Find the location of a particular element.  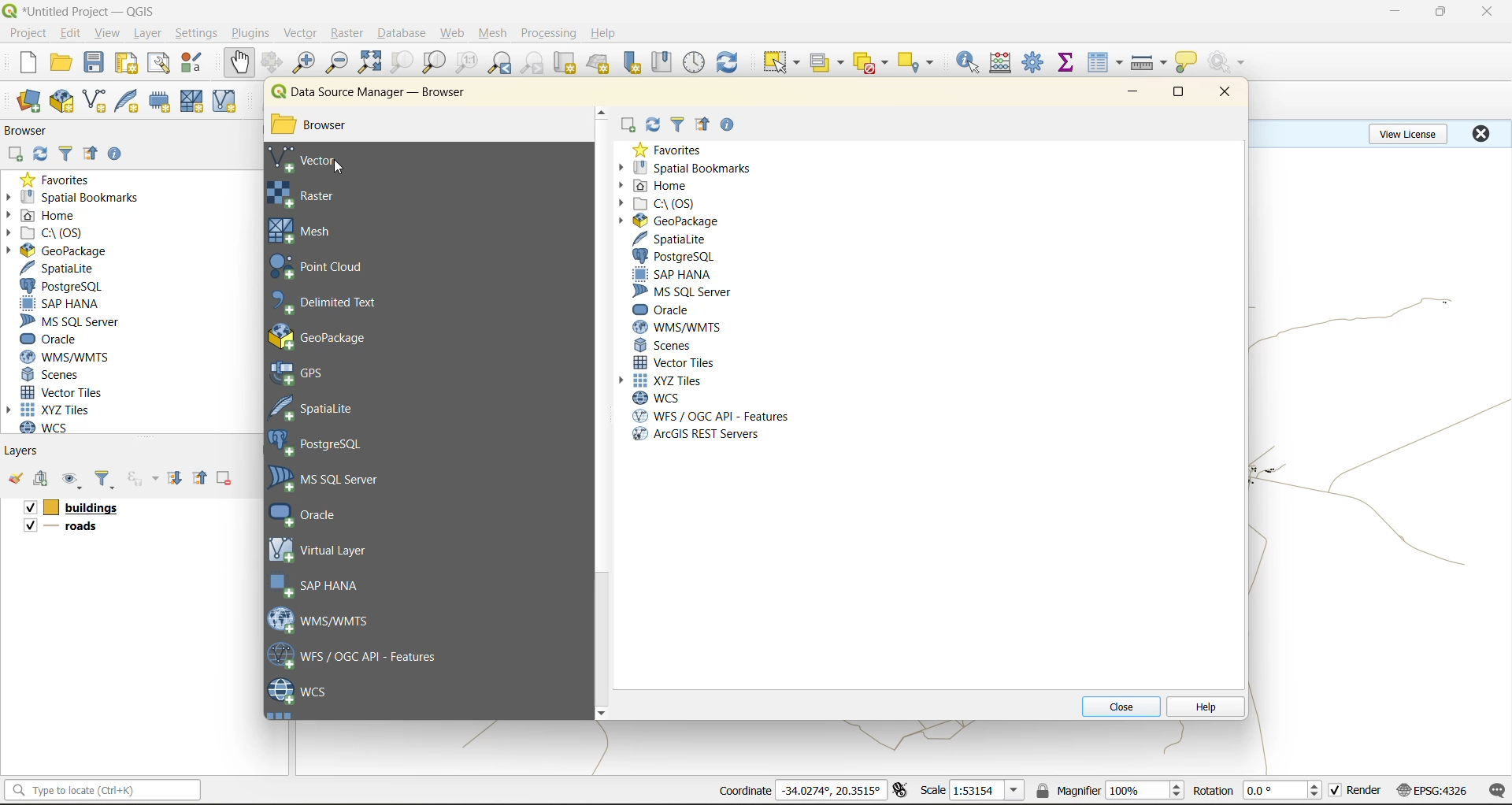

wfs/ogc api feaures is located at coordinates (361, 655).